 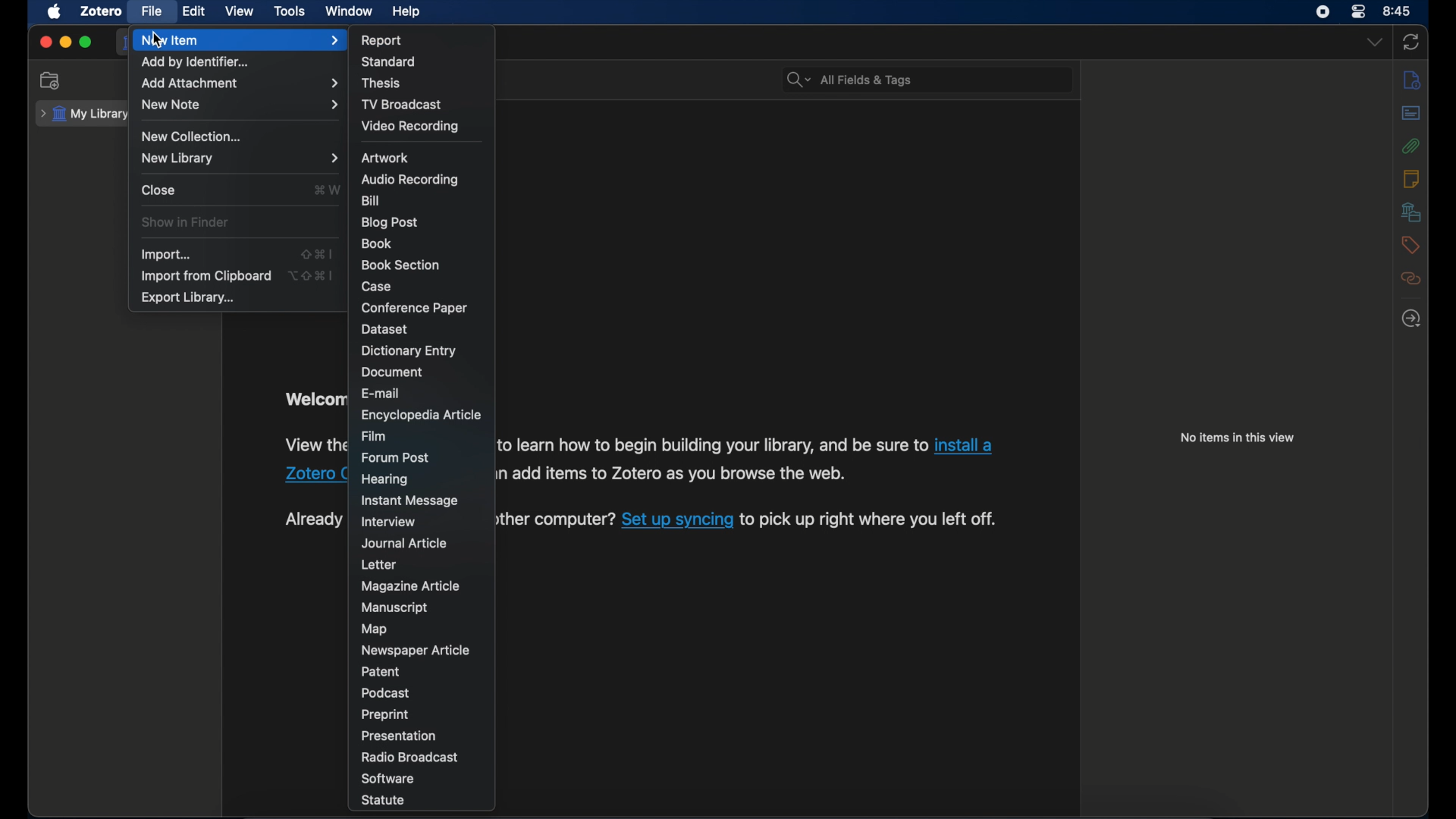 I want to click on tags, so click(x=1410, y=245).